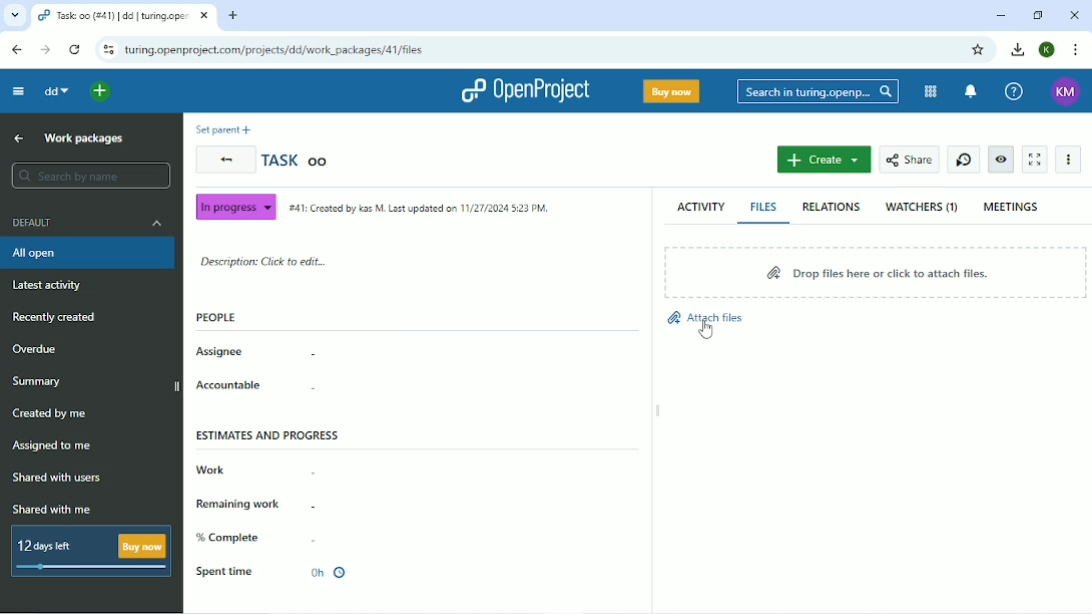  What do you see at coordinates (266, 261) in the screenshot?
I see `Description` at bounding box center [266, 261].